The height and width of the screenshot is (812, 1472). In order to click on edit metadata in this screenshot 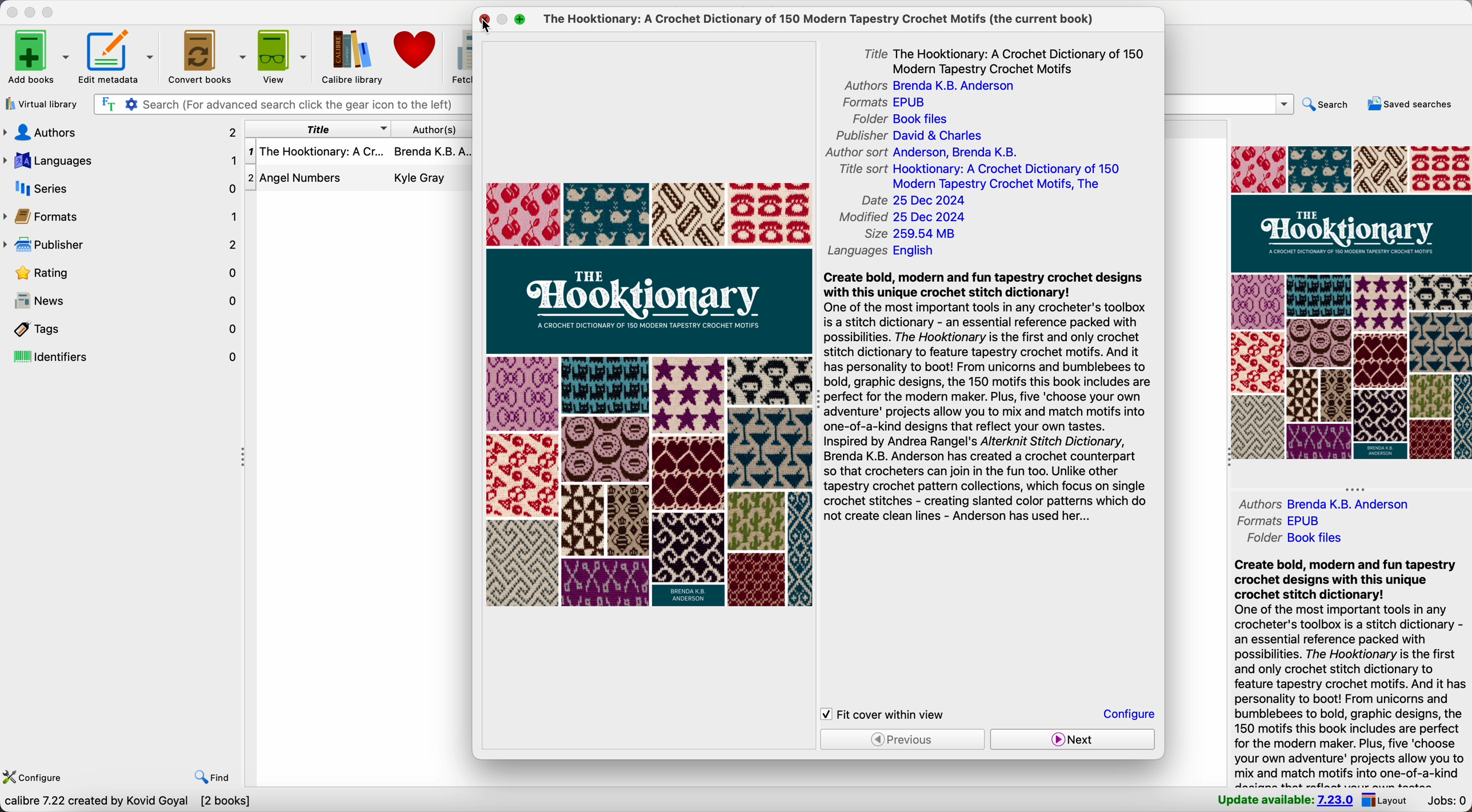, I will do `click(119, 58)`.